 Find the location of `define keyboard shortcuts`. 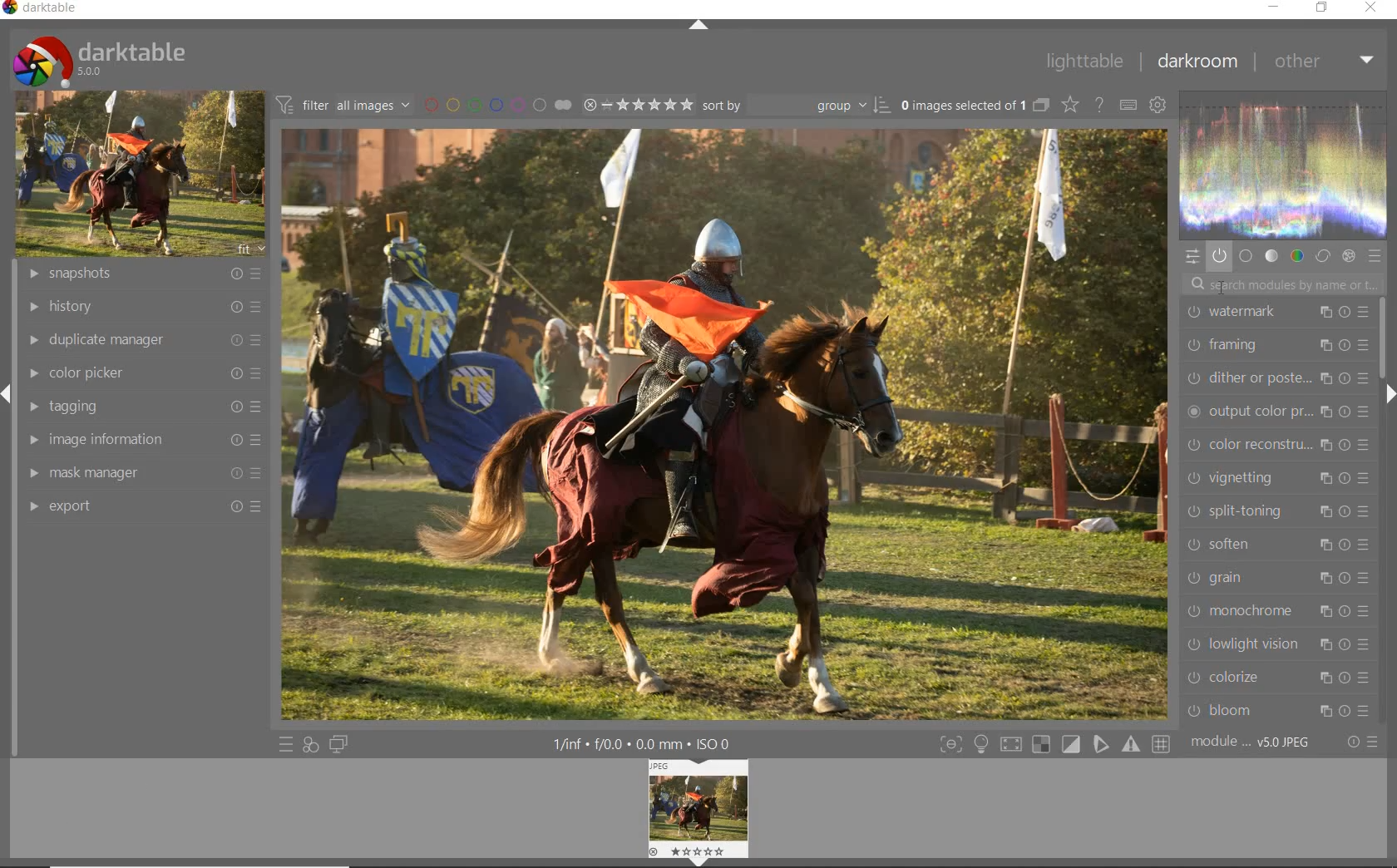

define keyboard shortcuts is located at coordinates (1128, 106).